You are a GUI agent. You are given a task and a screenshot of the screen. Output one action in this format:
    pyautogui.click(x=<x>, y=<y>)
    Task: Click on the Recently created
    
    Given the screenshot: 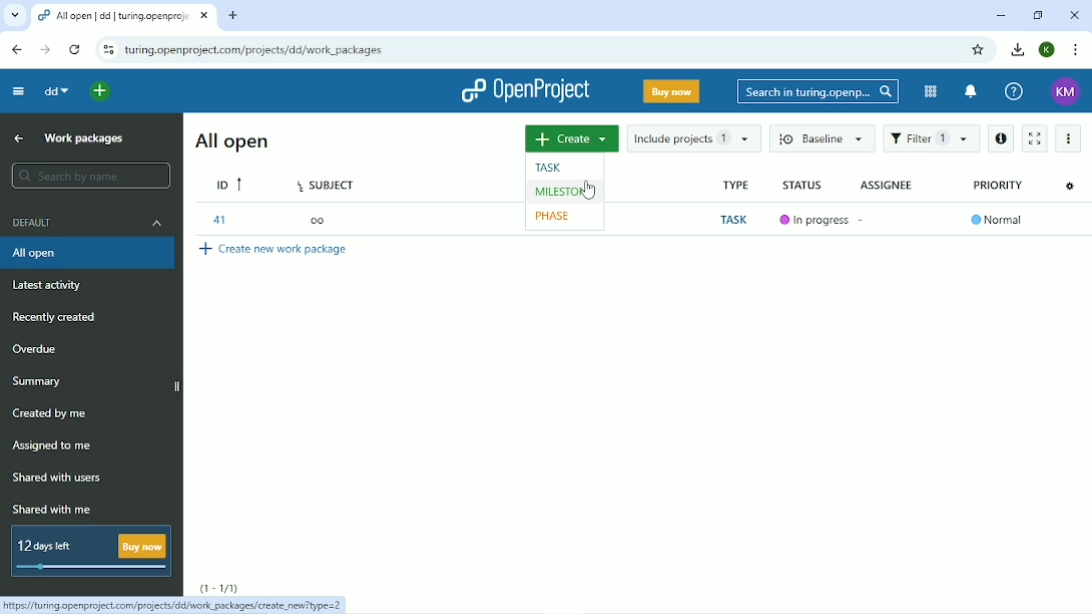 What is the action you would take?
    pyautogui.click(x=56, y=317)
    